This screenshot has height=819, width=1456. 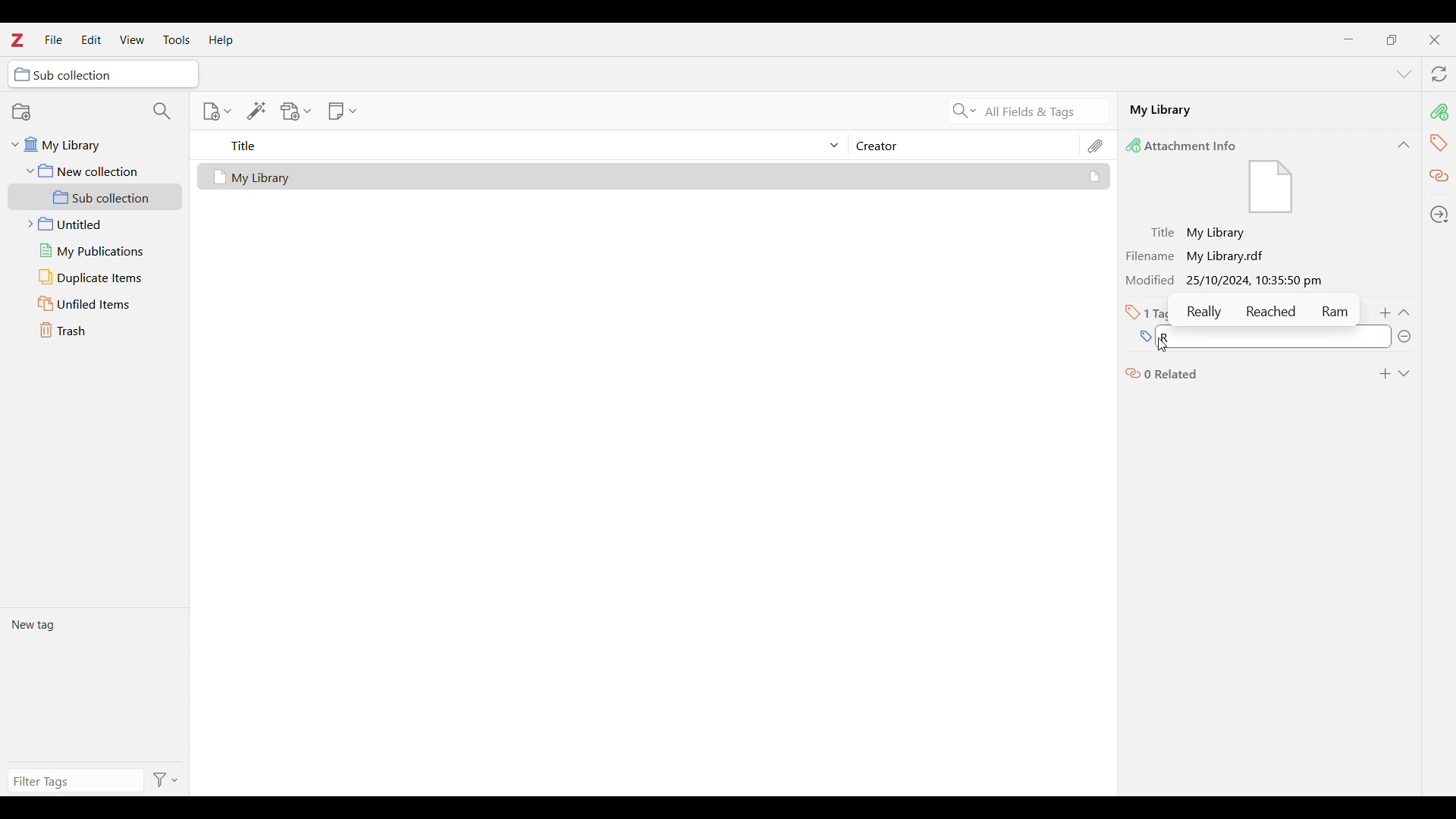 What do you see at coordinates (1150, 312) in the screenshot?
I see `Total number of tags` at bounding box center [1150, 312].